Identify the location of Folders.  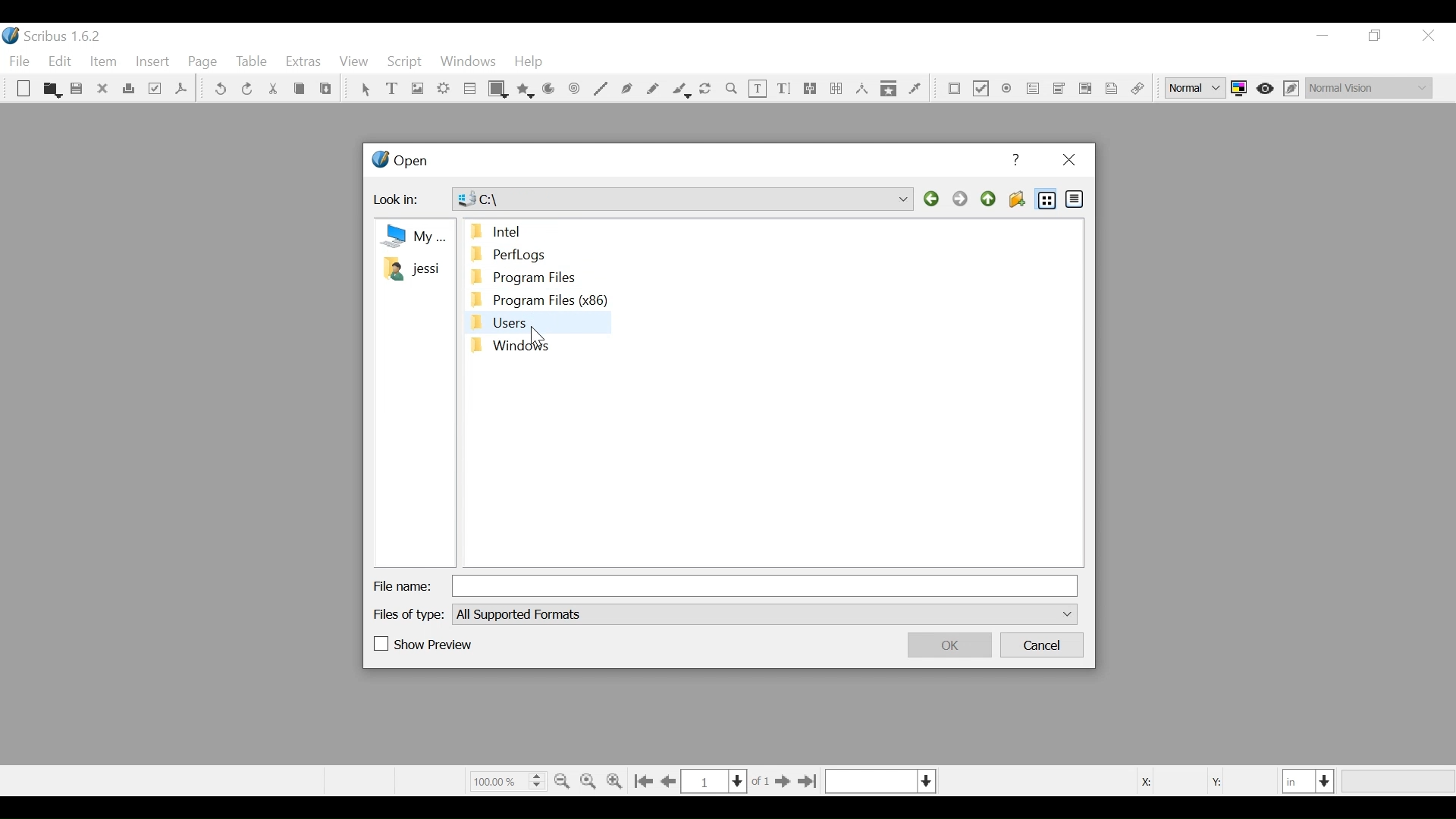
(536, 290).